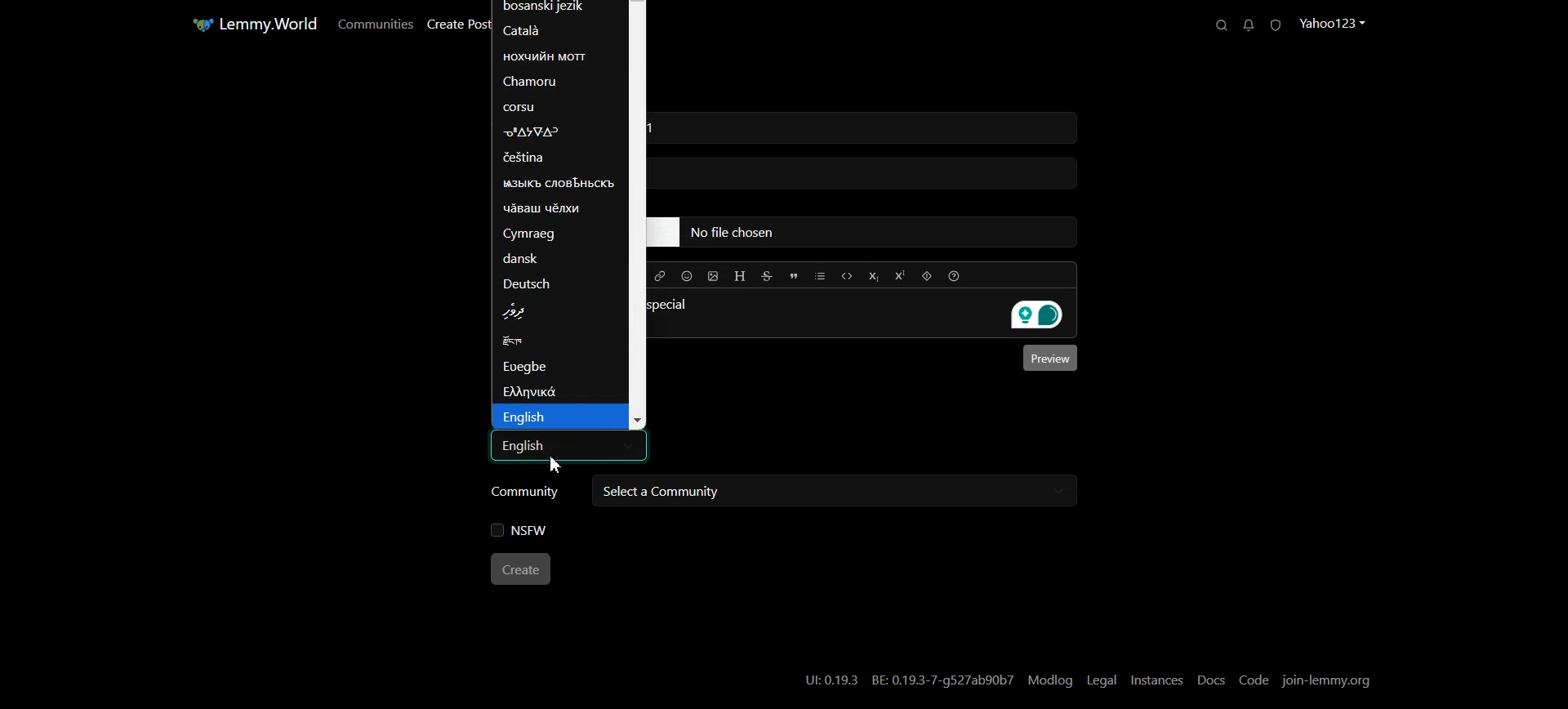 This screenshot has height=709, width=1568. What do you see at coordinates (688, 276) in the screenshot?
I see `Insert Emoji` at bounding box center [688, 276].